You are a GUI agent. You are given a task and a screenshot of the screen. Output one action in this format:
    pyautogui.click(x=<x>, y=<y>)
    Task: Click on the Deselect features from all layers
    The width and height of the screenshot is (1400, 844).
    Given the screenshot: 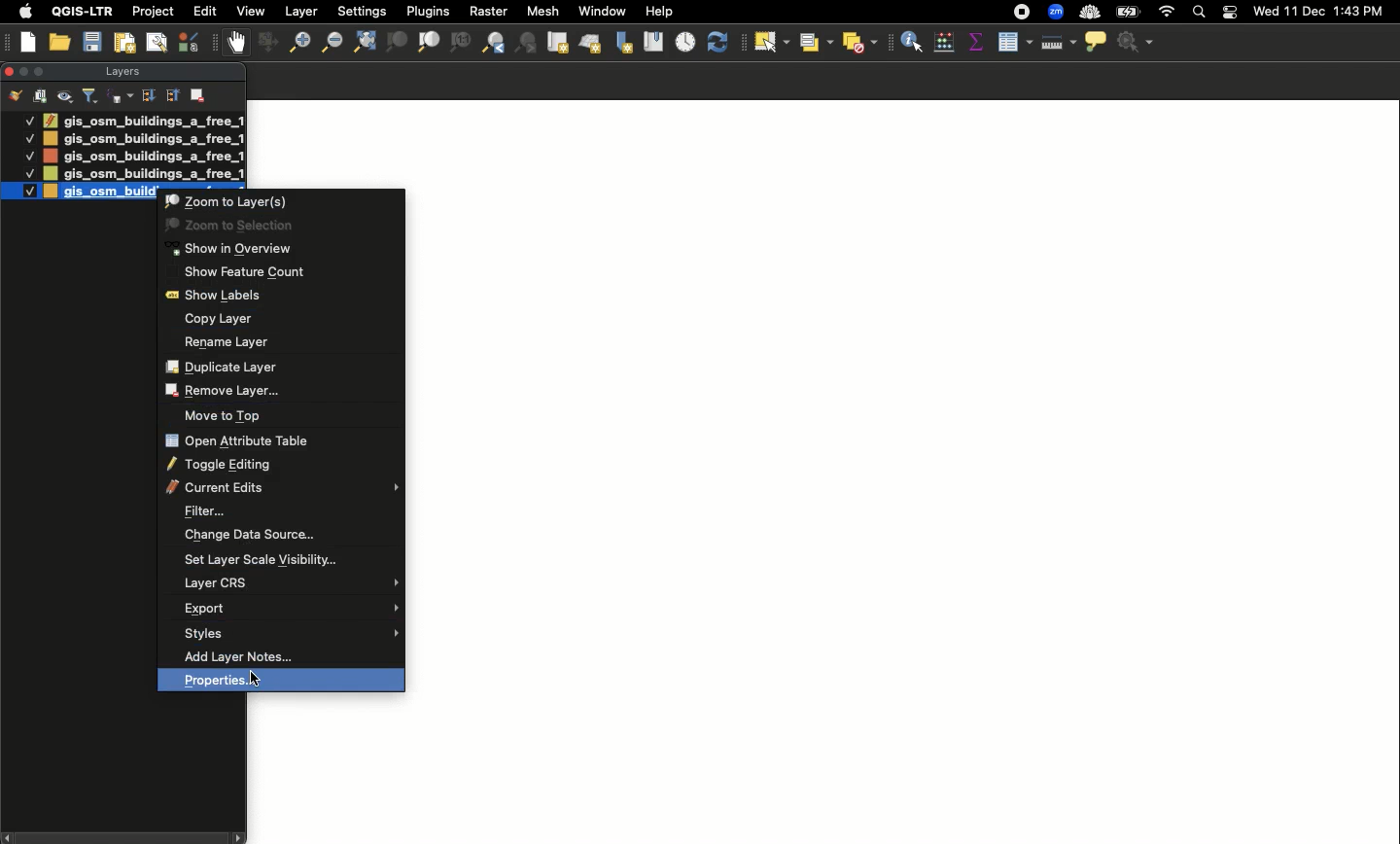 What is the action you would take?
    pyautogui.click(x=861, y=43)
    